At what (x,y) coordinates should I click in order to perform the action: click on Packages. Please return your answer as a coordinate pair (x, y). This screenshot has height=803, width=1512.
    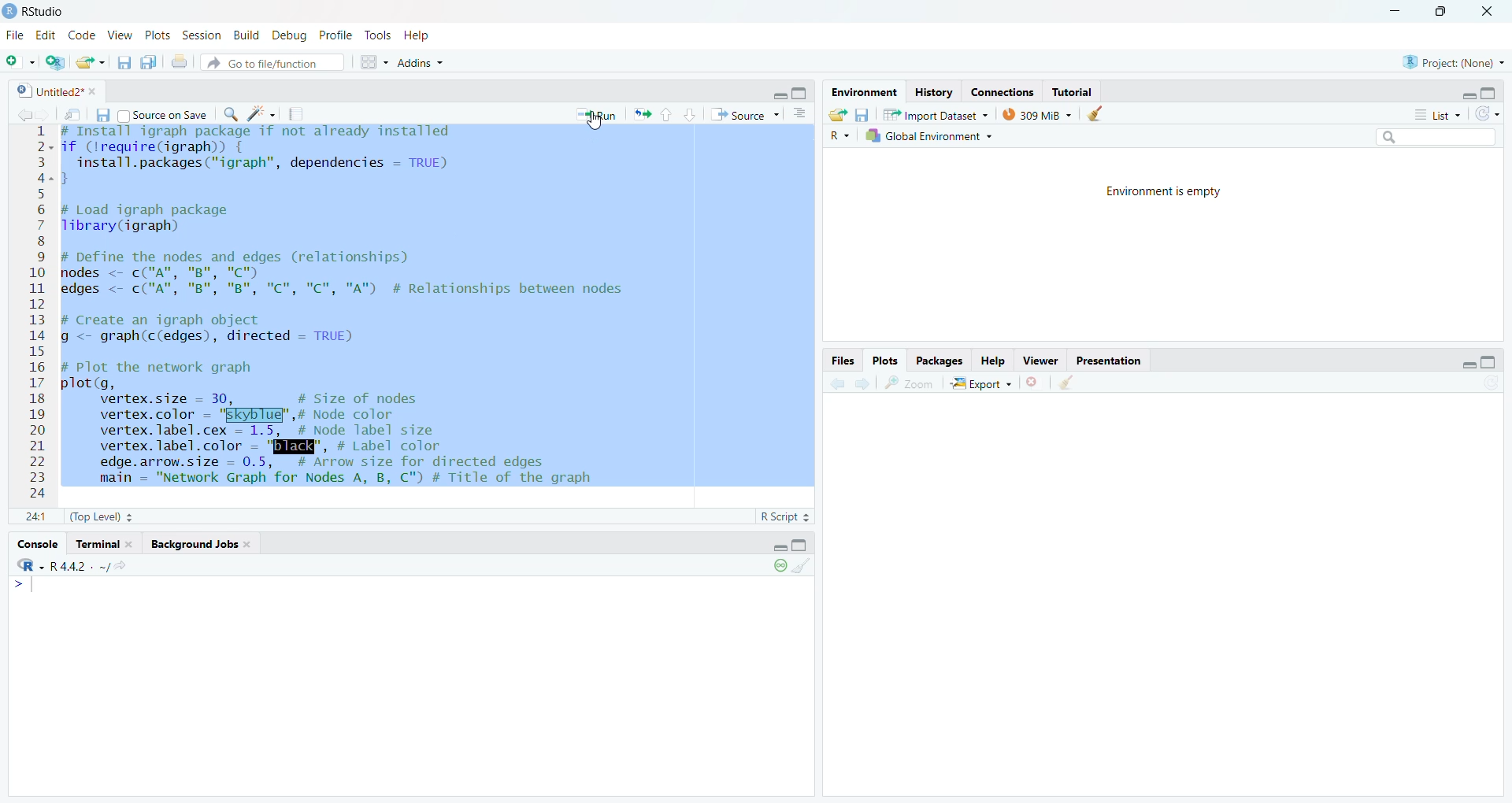
    Looking at the image, I should click on (937, 361).